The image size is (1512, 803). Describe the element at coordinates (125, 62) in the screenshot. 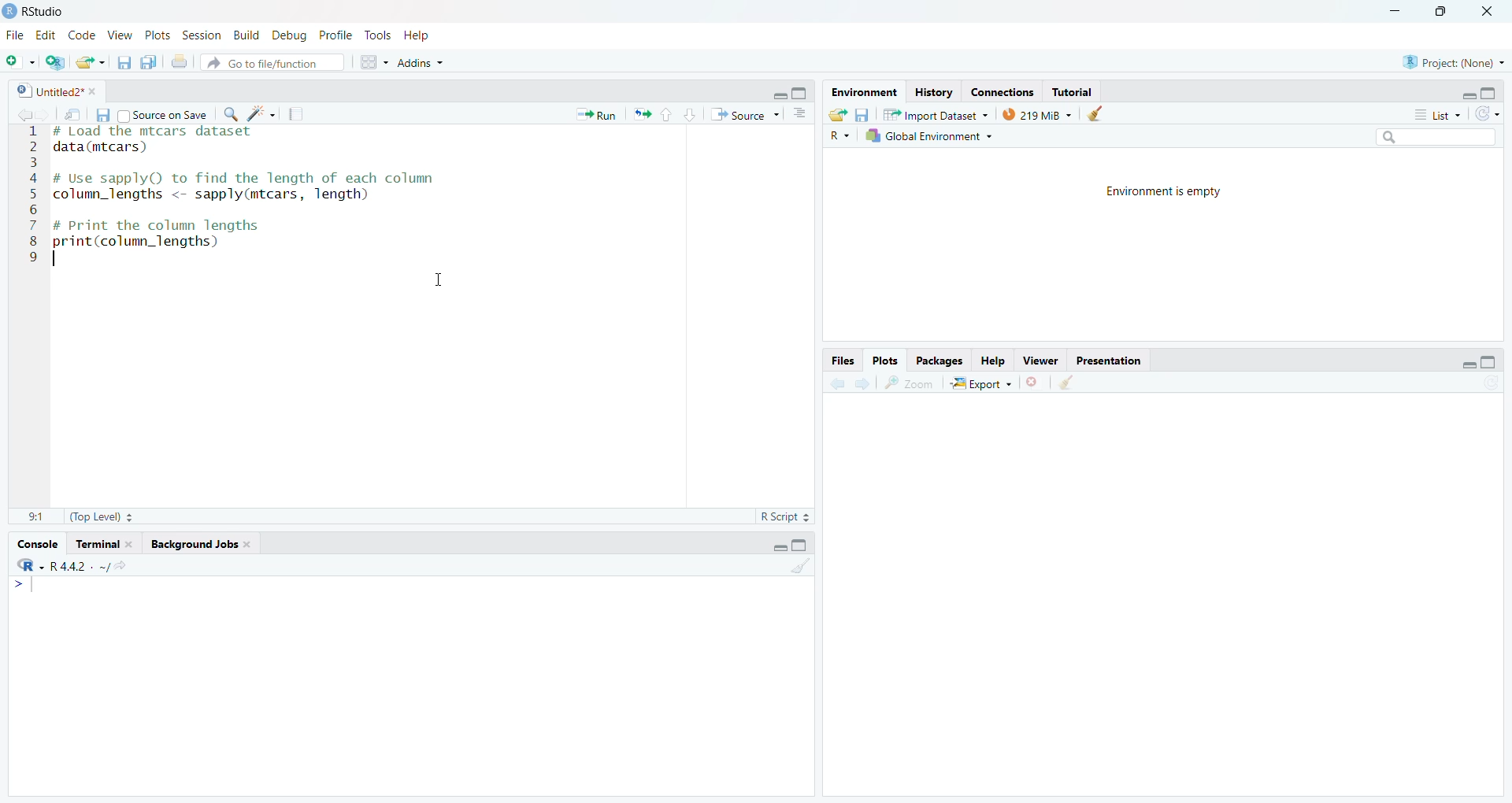

I see `Save current file` at that location.